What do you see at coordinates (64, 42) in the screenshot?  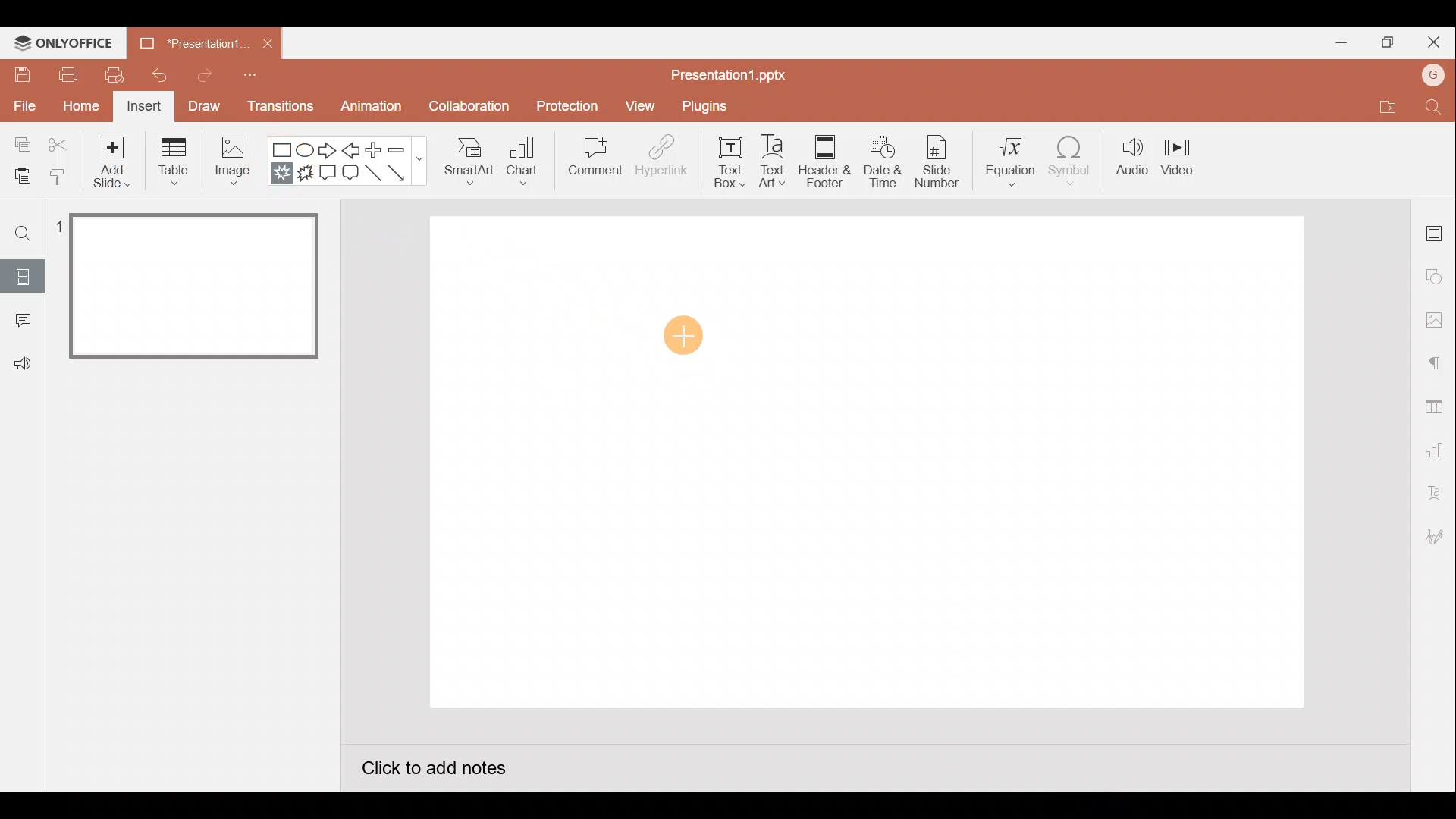 I see `ONLYOFFICE` at bounding box center [64, 42].